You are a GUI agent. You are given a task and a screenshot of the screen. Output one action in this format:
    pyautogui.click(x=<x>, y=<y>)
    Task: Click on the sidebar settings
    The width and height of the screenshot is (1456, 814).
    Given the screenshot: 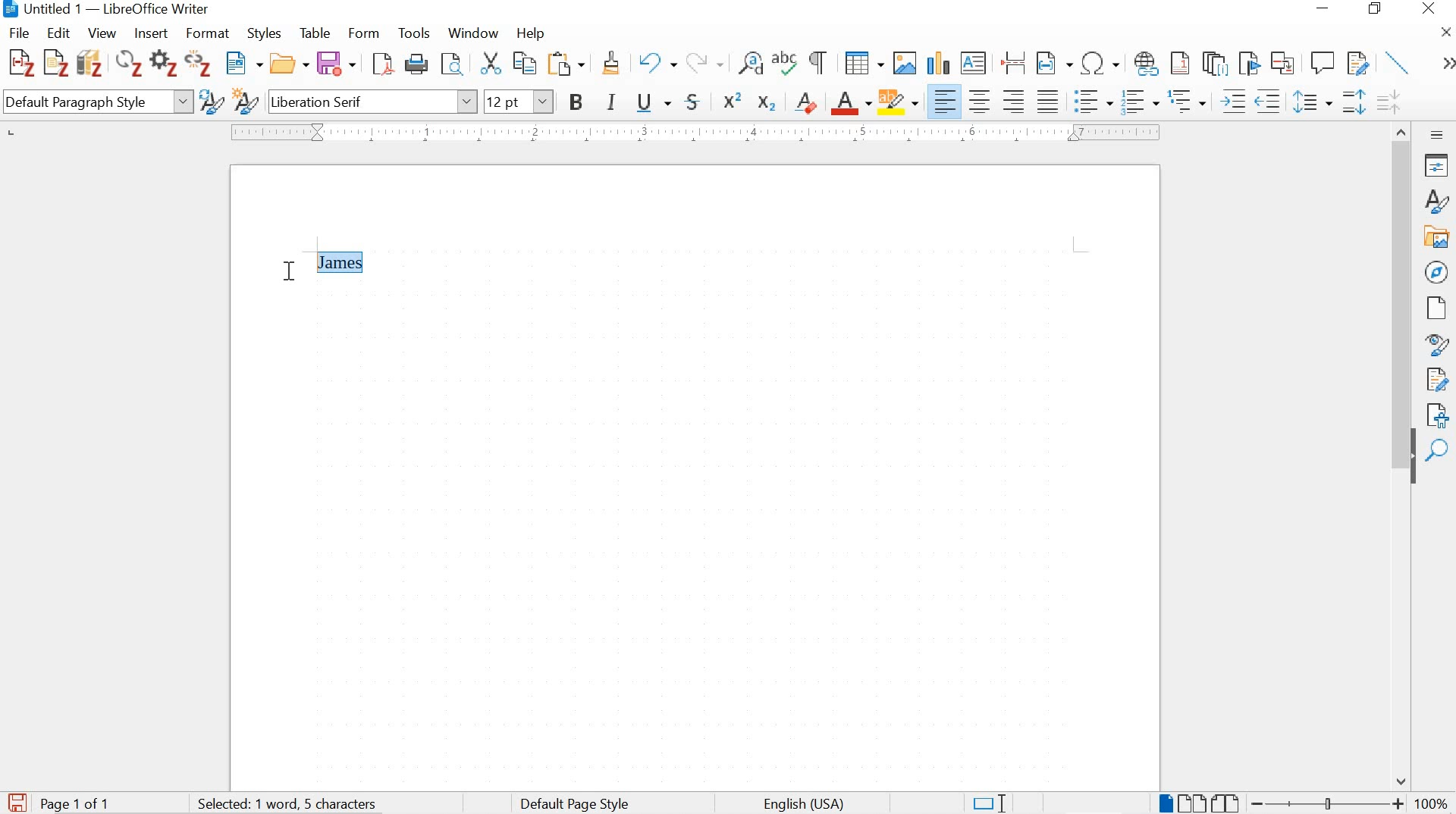 What is the action you would take?
    pyautogui.click(x=1438, y=134)
    